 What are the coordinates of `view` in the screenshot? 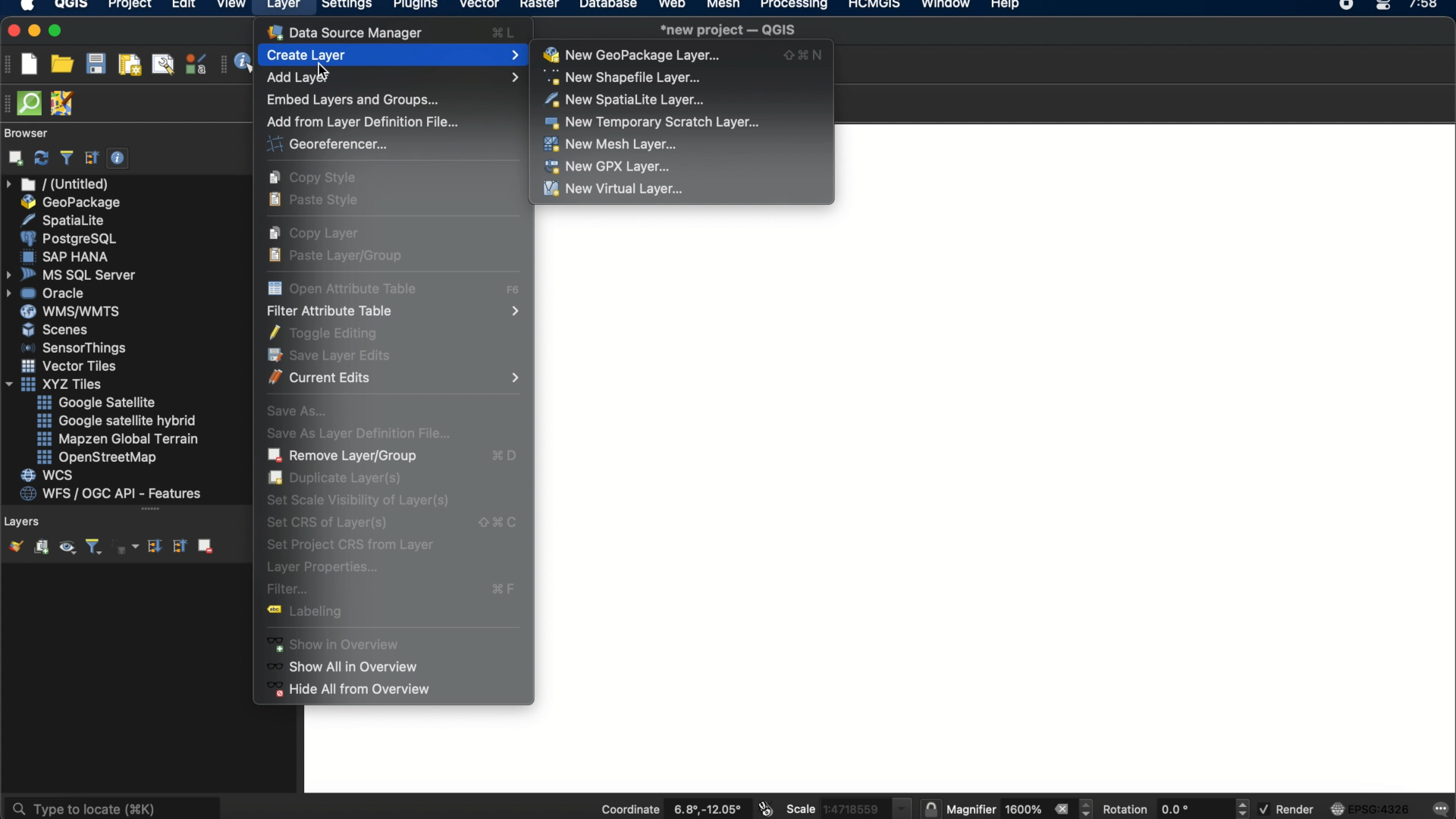 It's located at (231, 6).